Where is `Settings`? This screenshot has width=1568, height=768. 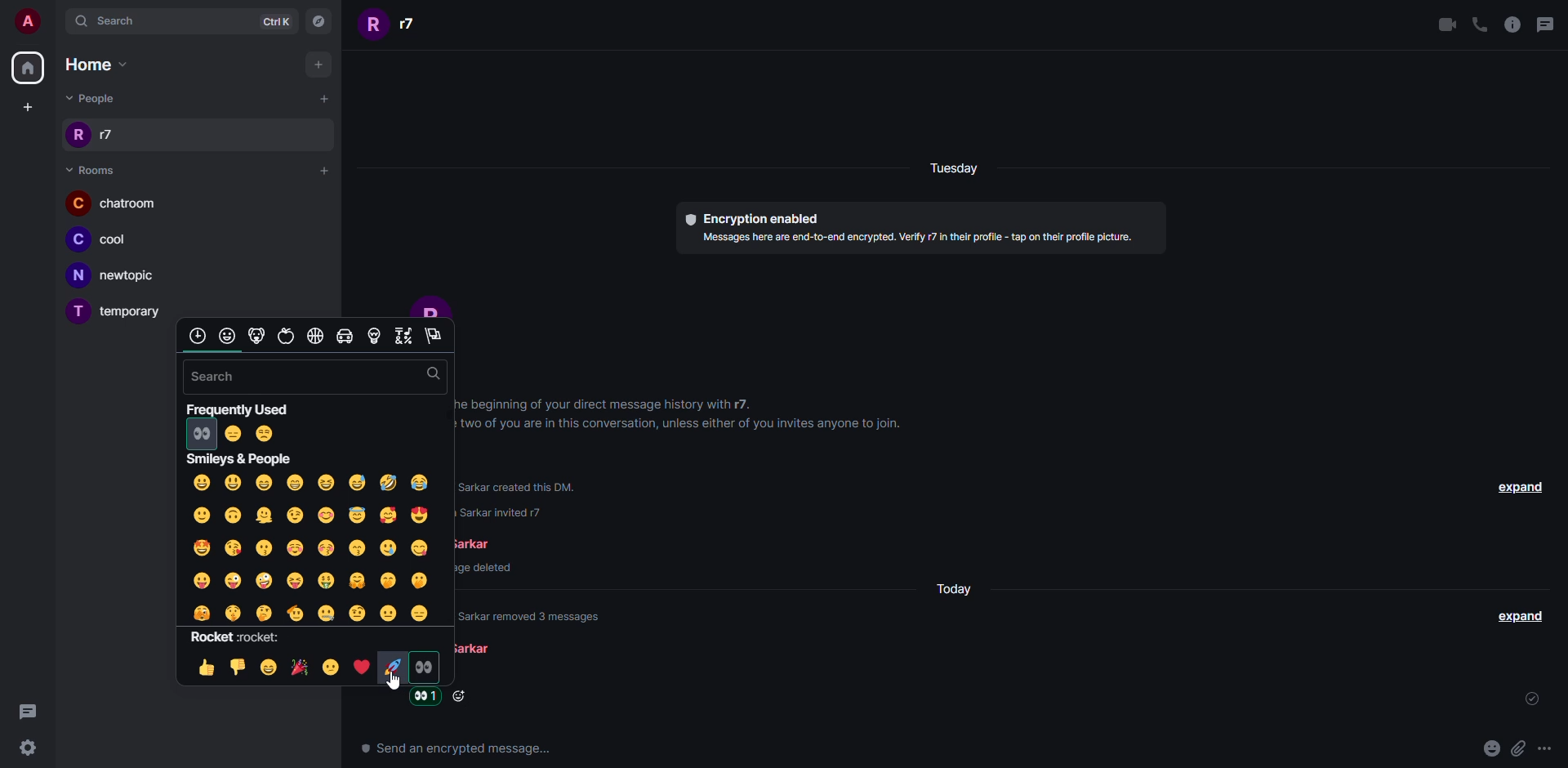
Settings is located at coordinates (33, 749).